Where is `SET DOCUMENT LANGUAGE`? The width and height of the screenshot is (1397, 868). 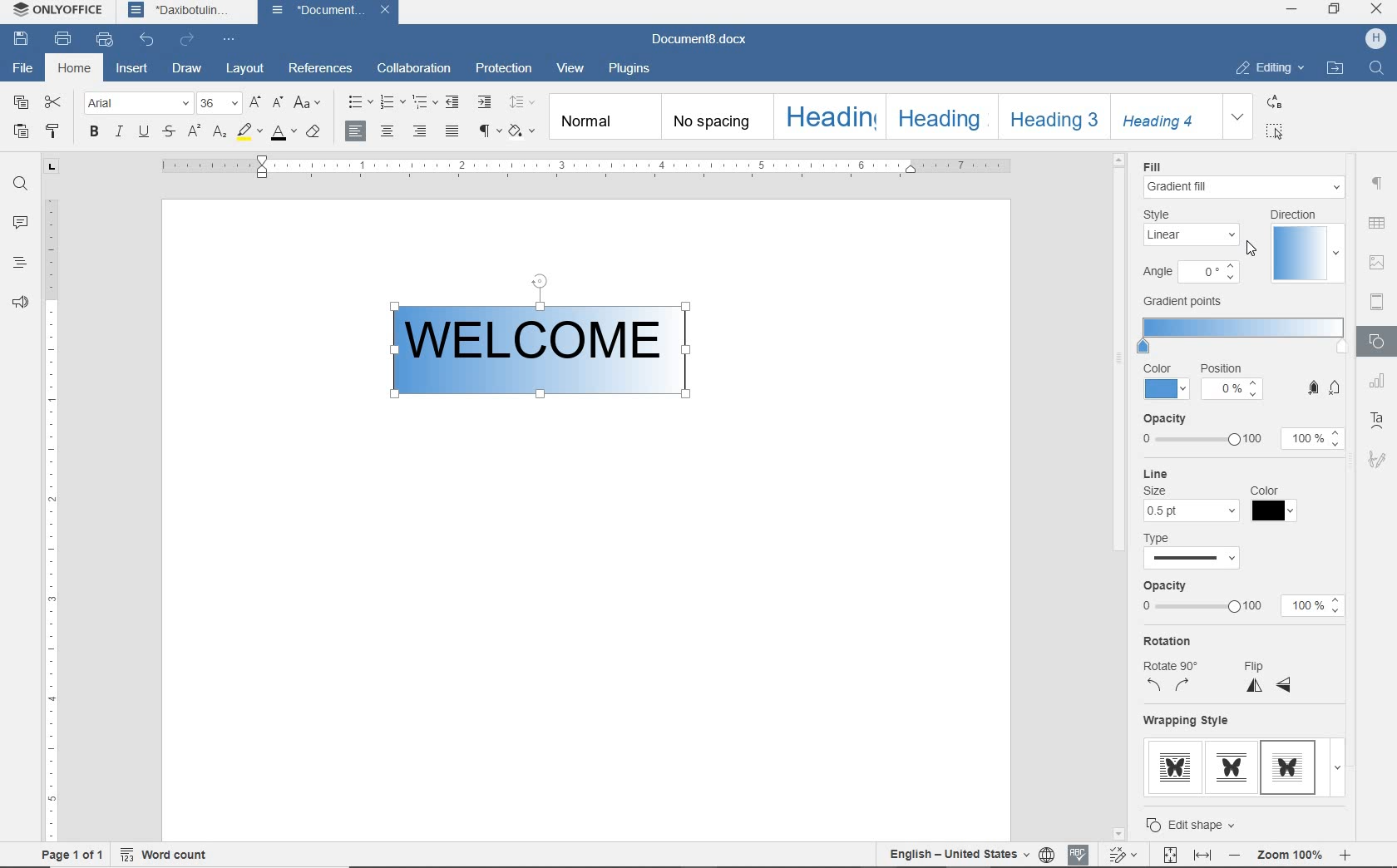 SET DOCUMENT LANGUAGE is located at coordinates (1048, 856).